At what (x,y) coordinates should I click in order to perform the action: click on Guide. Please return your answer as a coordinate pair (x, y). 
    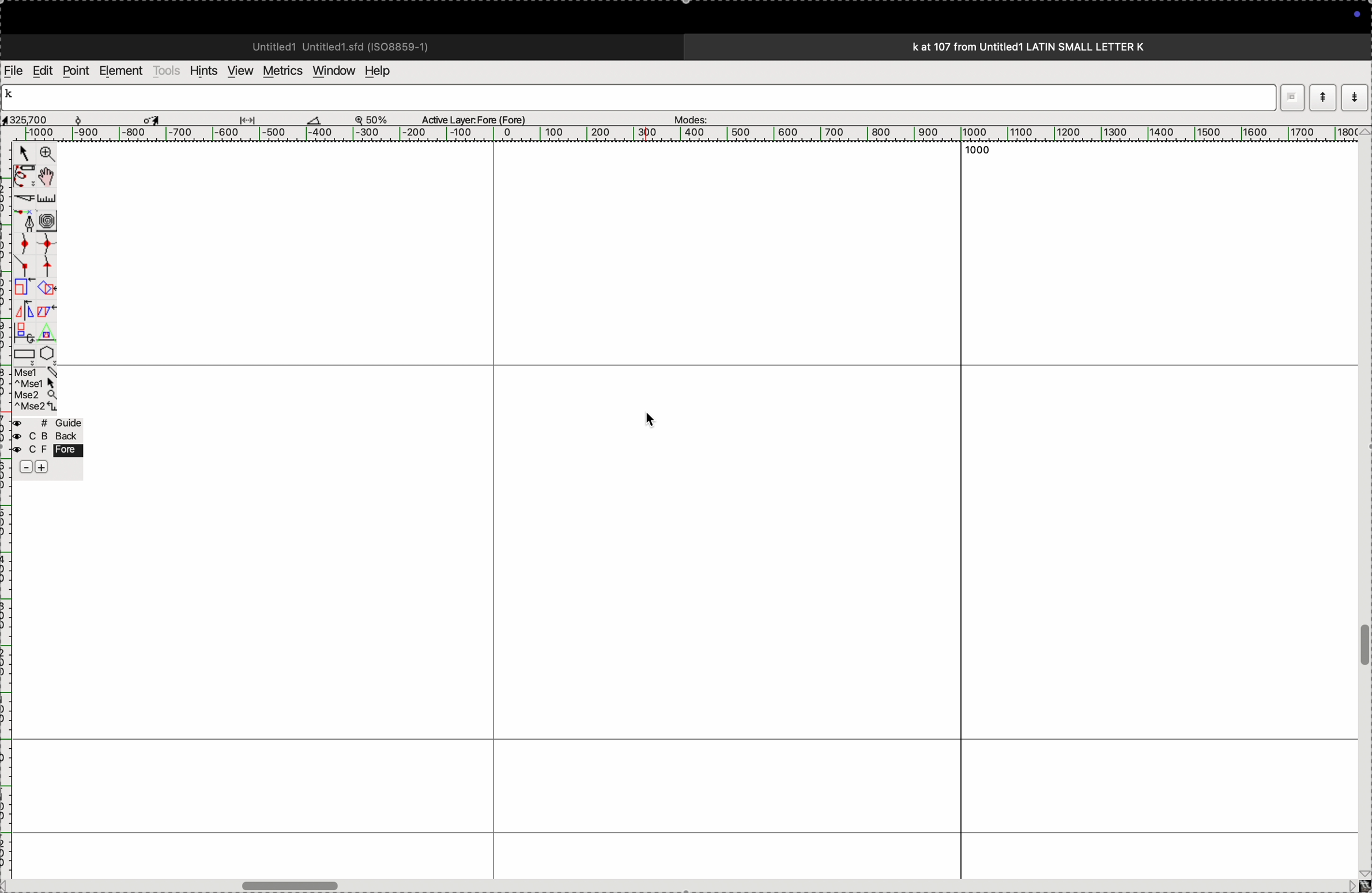
    Looking at the image, I should click on (47, 446).